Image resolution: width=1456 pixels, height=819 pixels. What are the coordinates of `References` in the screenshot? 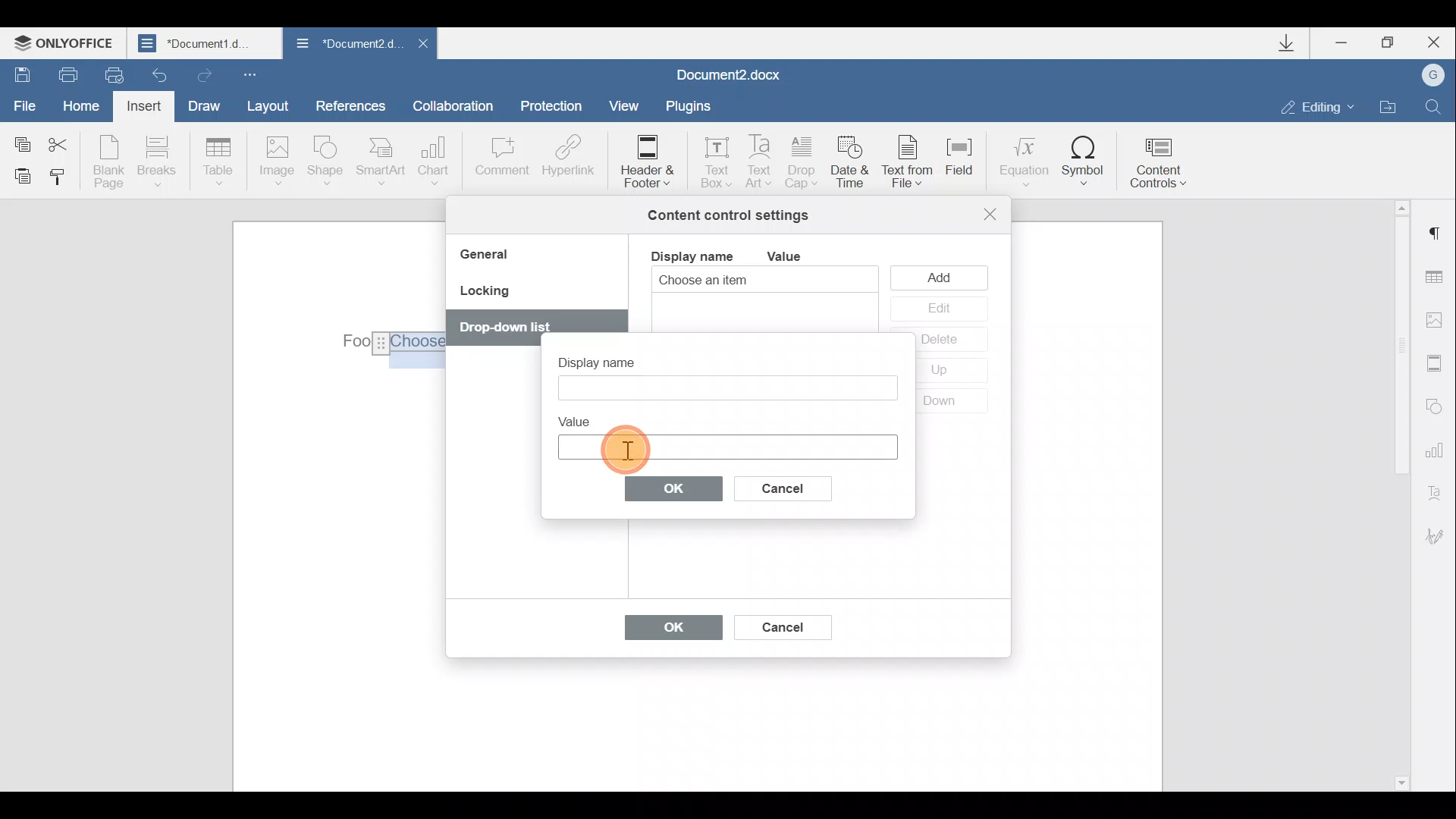 It's located at (350, 104).